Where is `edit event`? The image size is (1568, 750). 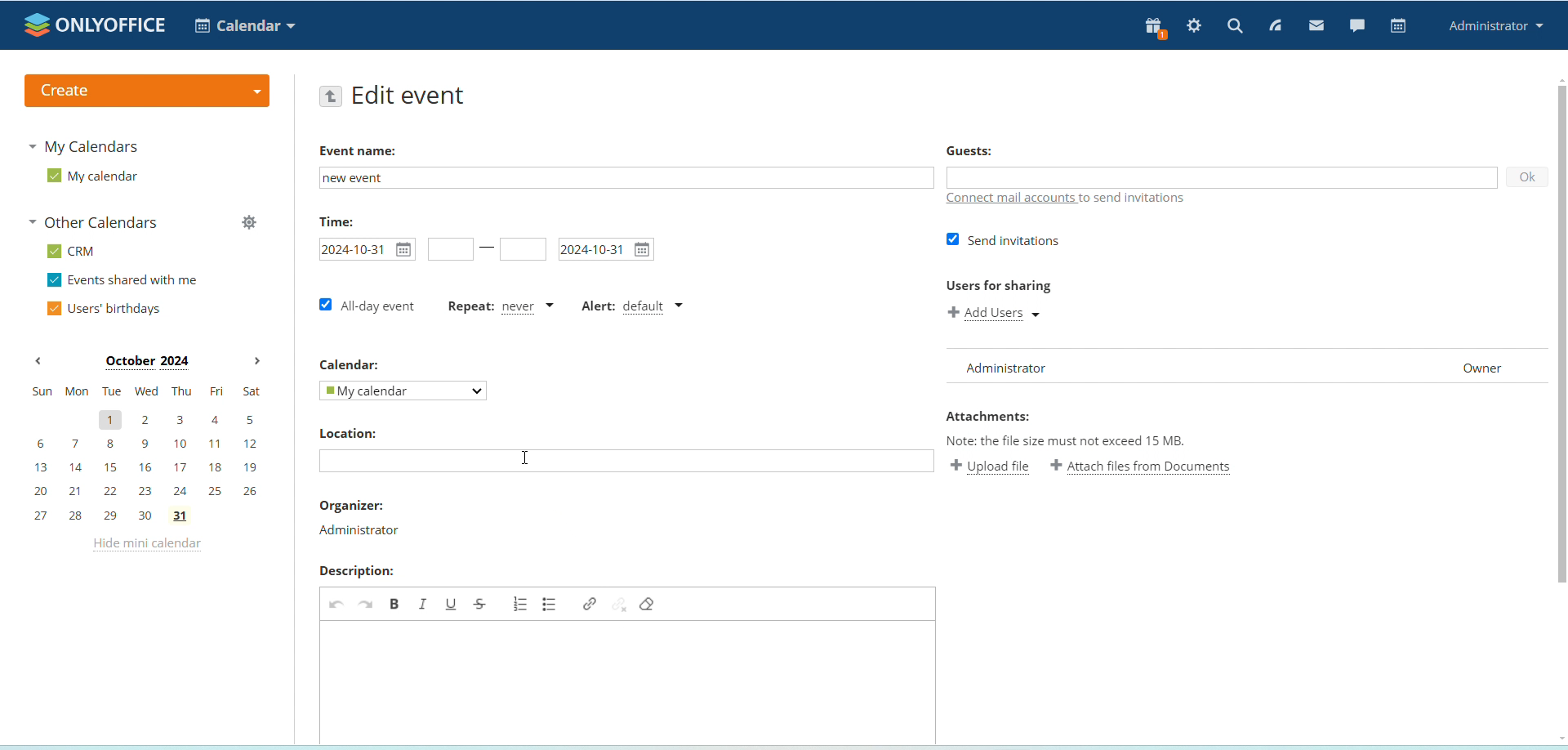
edit event is located at coordinates (410, 97).